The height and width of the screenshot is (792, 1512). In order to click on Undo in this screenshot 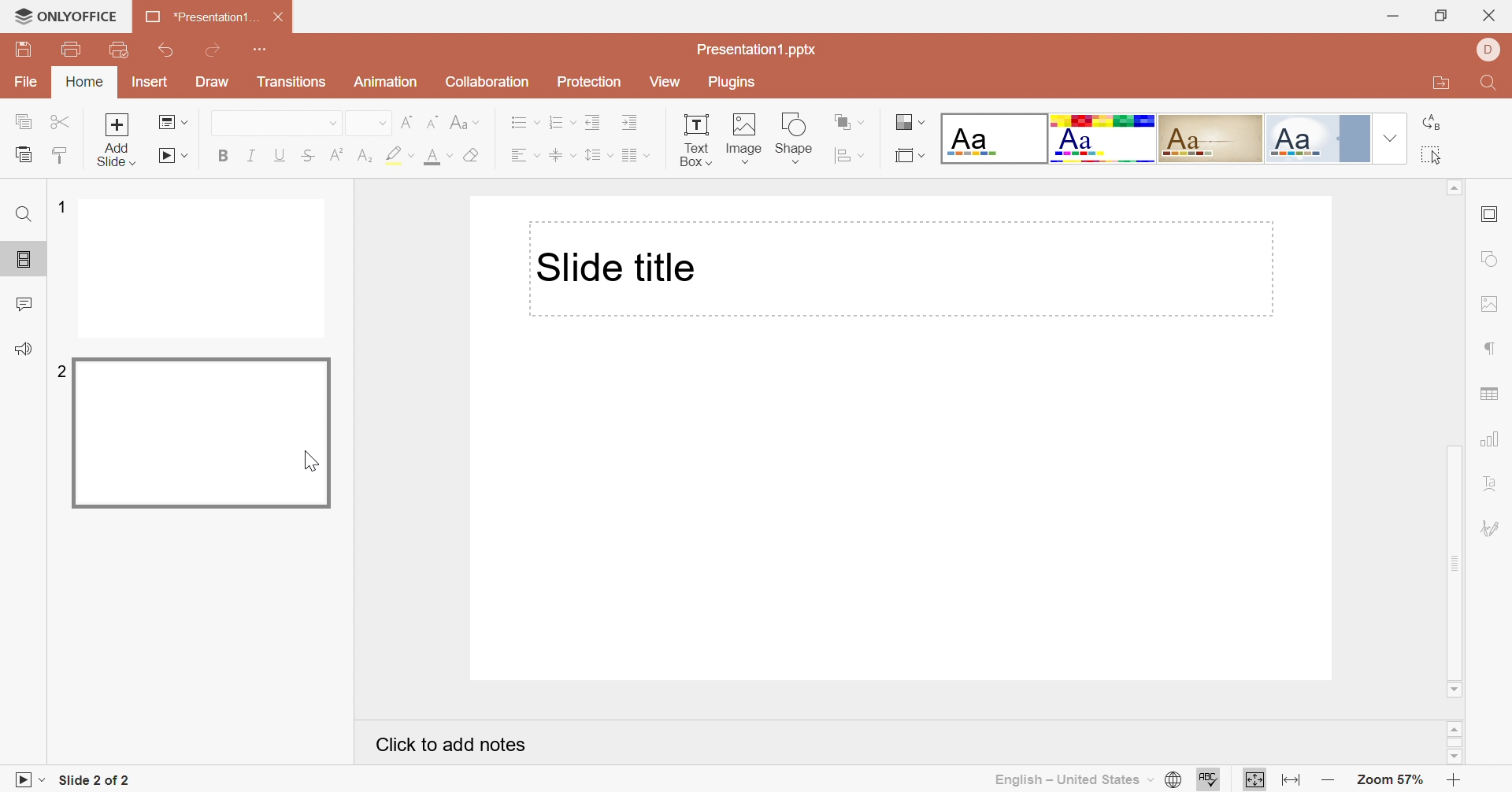, I will do `click(165, 51)`.